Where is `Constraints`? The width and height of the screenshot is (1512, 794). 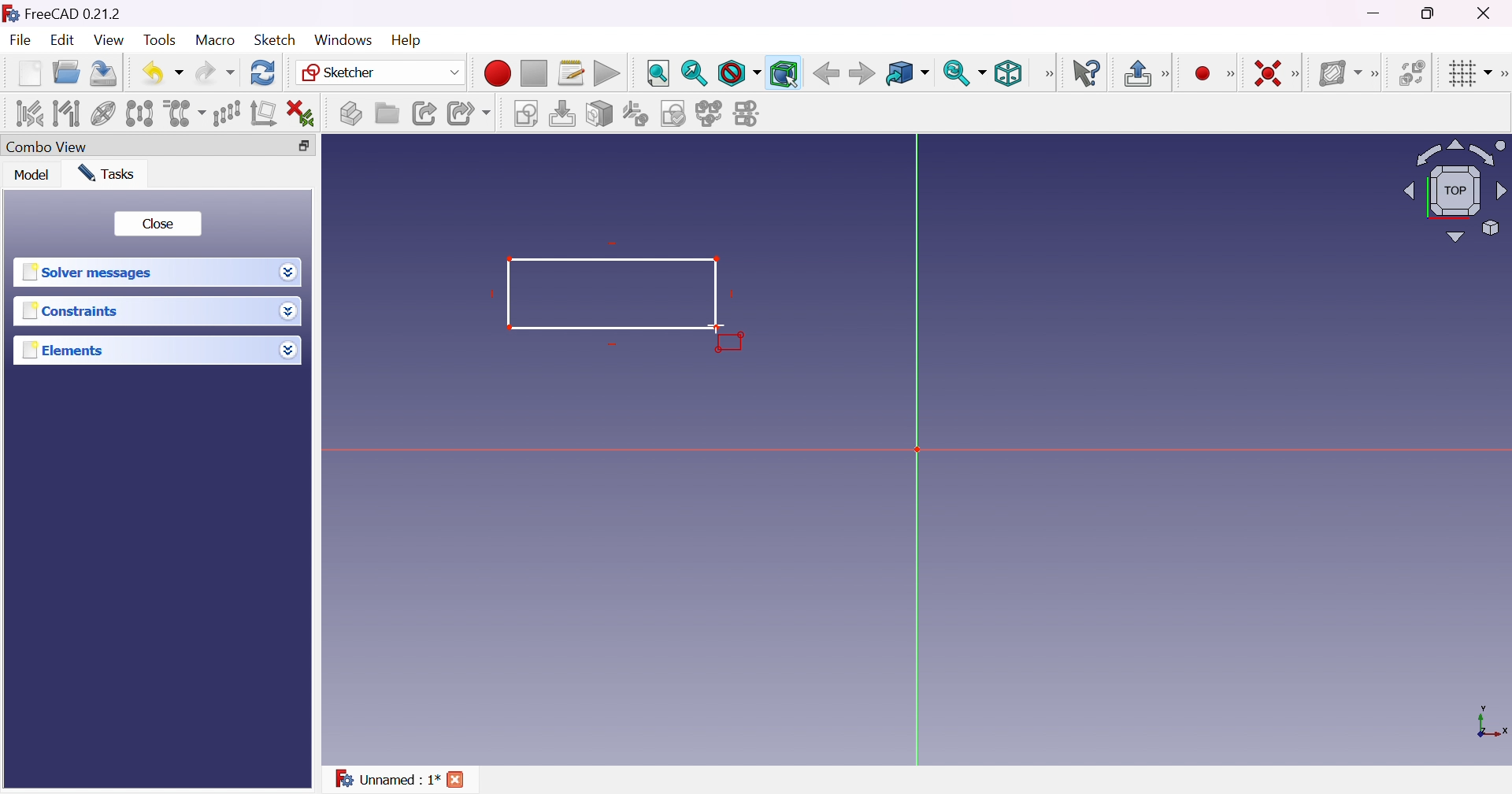
Constraints is located at coordinates (72, 310).